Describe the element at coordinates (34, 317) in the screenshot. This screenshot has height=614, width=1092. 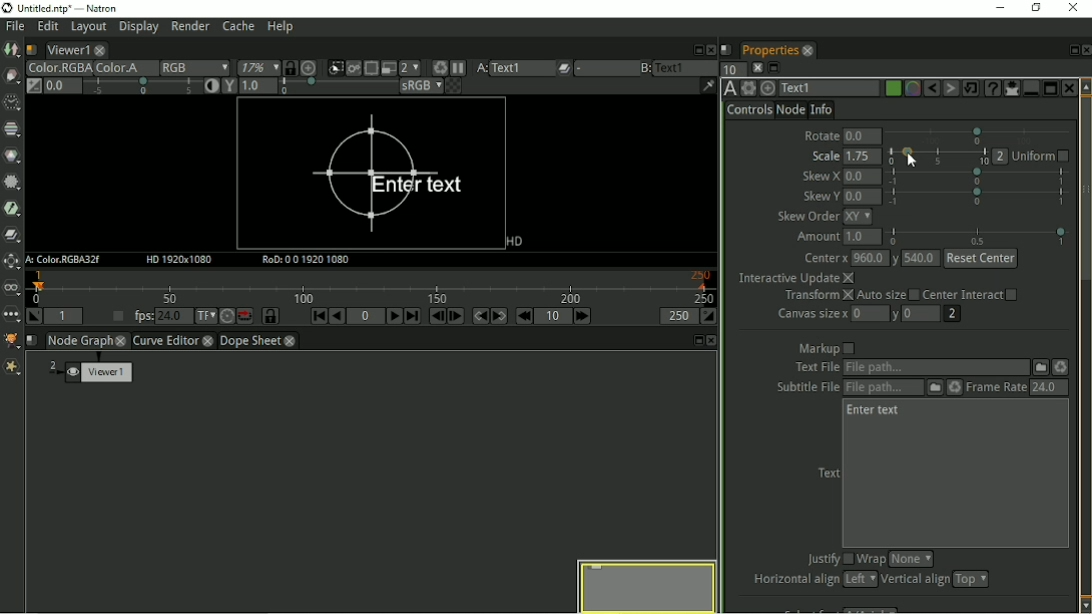
I see `Set playback in point` at that location.